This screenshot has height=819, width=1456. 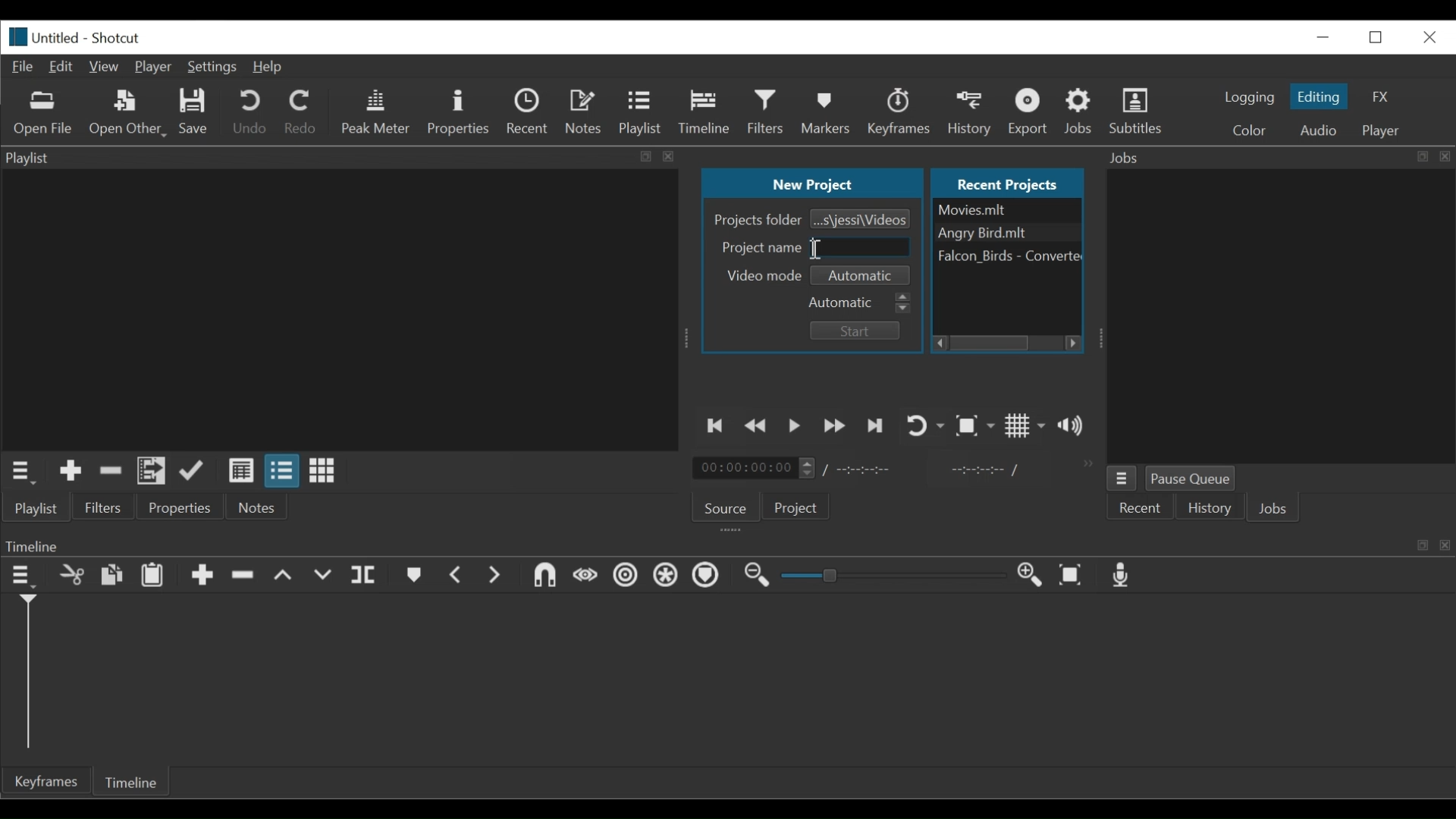 I want to click on Shotcut, so click(x=120, y=37).